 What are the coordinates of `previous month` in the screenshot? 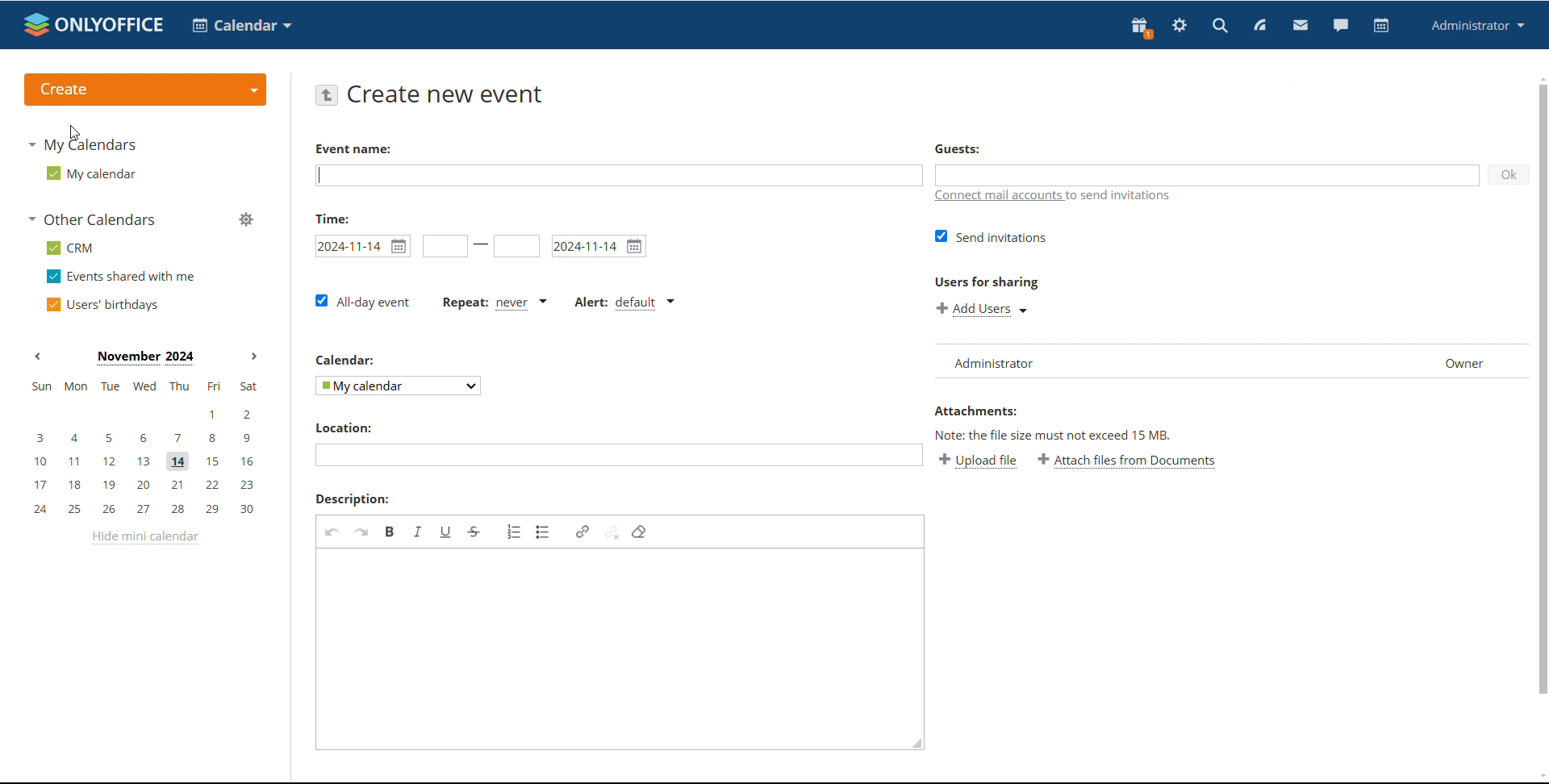 It's located at (37, 355).